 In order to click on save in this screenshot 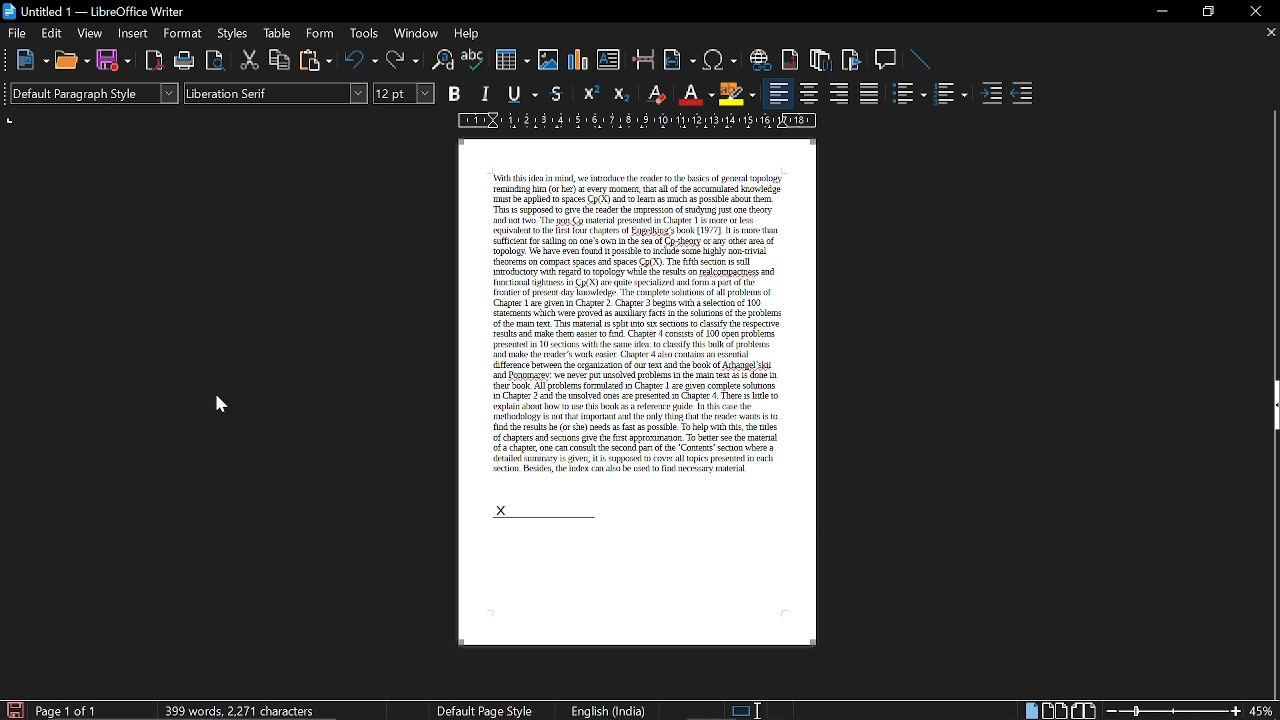, I will do `click(114, 60)`.